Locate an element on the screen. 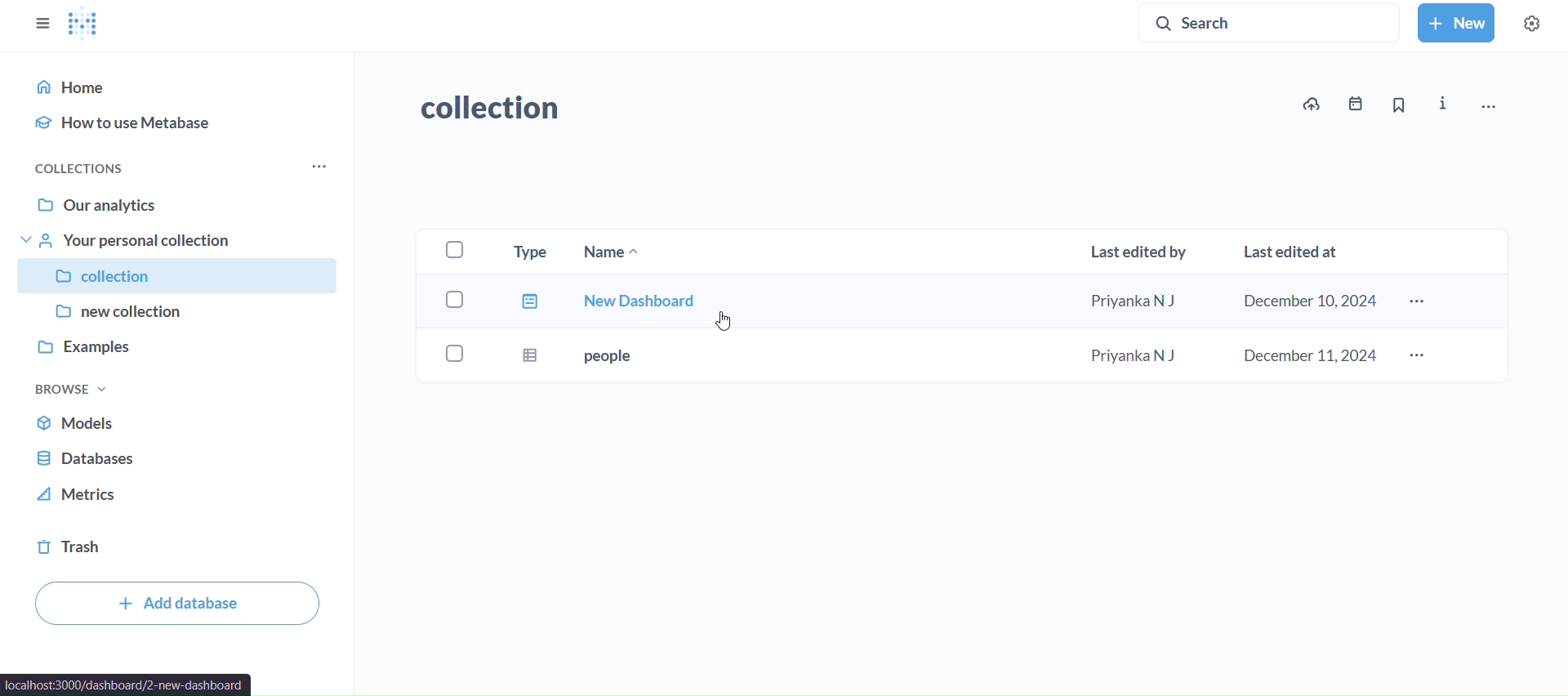 This screenshot has height=696, width=1568. collection is located at coordinates (487, 107).